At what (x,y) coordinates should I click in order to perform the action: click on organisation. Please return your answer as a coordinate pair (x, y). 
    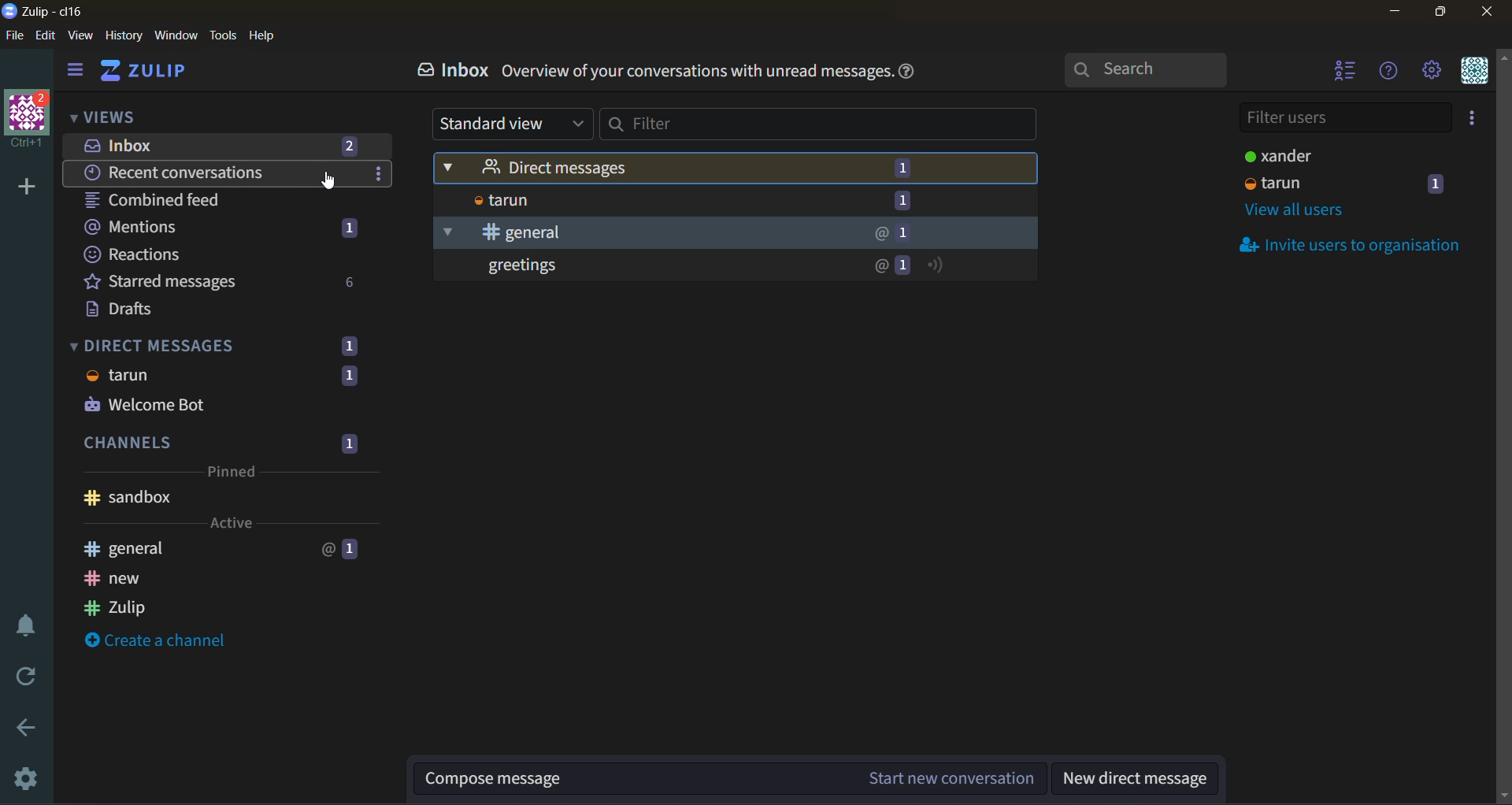
    Looking at the image, I should click on (30, 120).